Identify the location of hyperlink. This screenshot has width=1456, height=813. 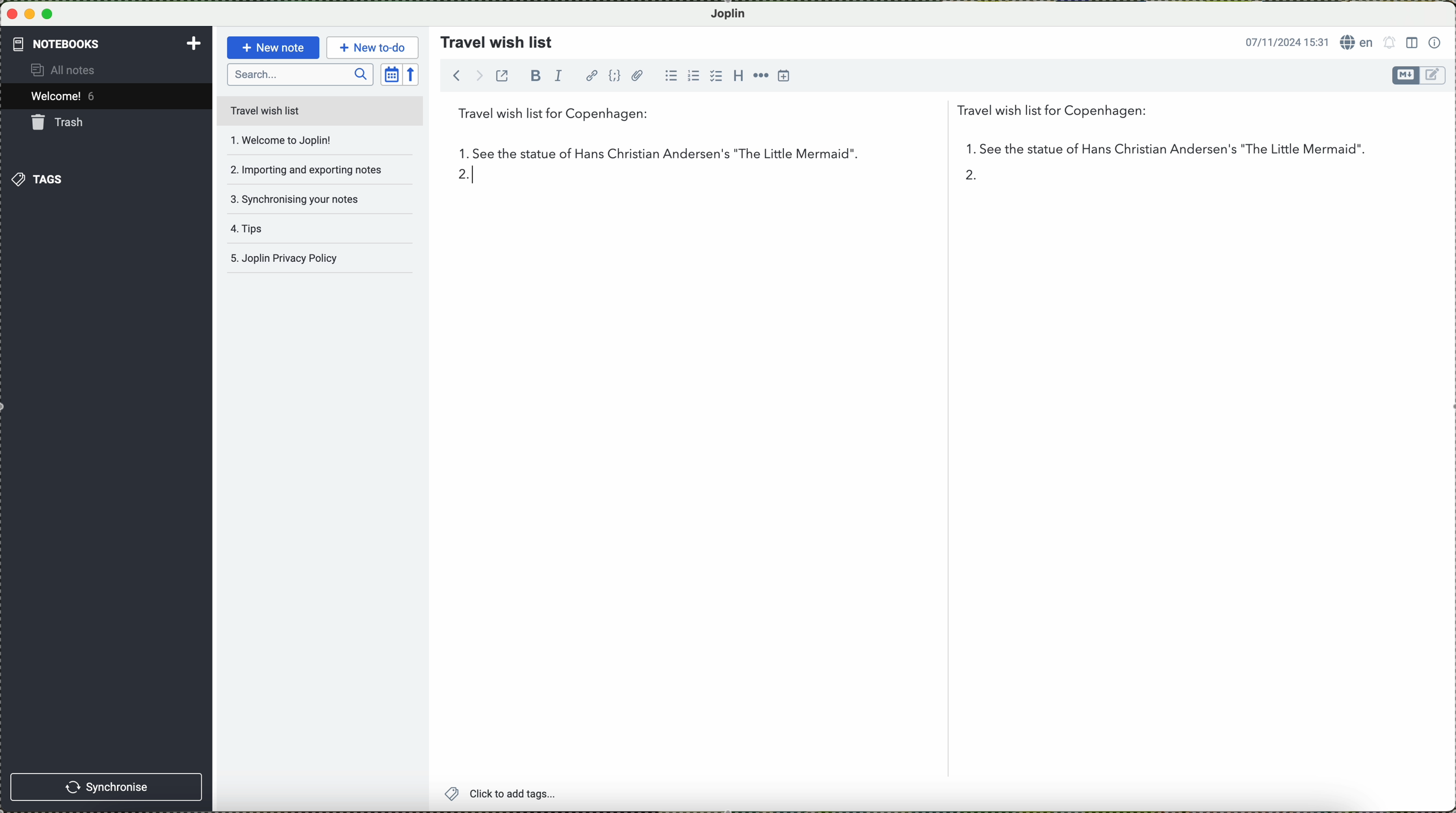
(591, 75).